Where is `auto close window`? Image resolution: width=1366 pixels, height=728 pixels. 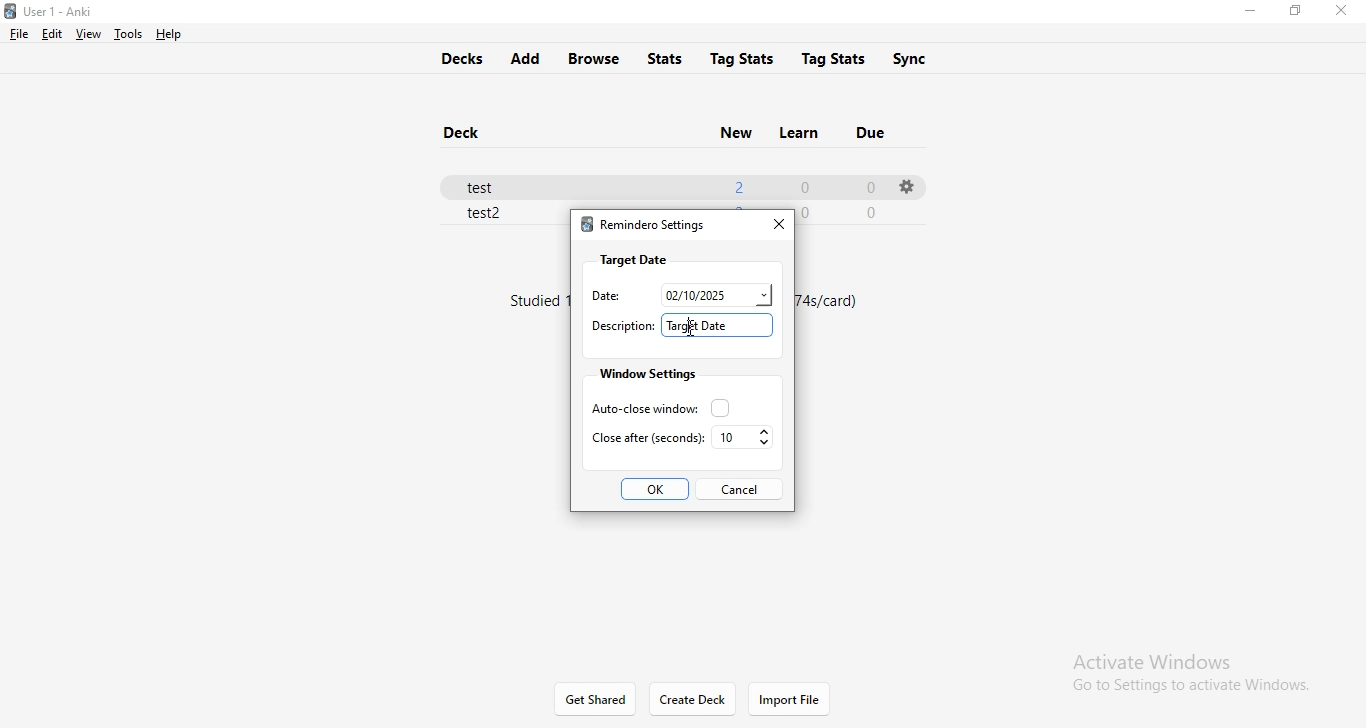
auto close window is located at coordinates (655, 407).